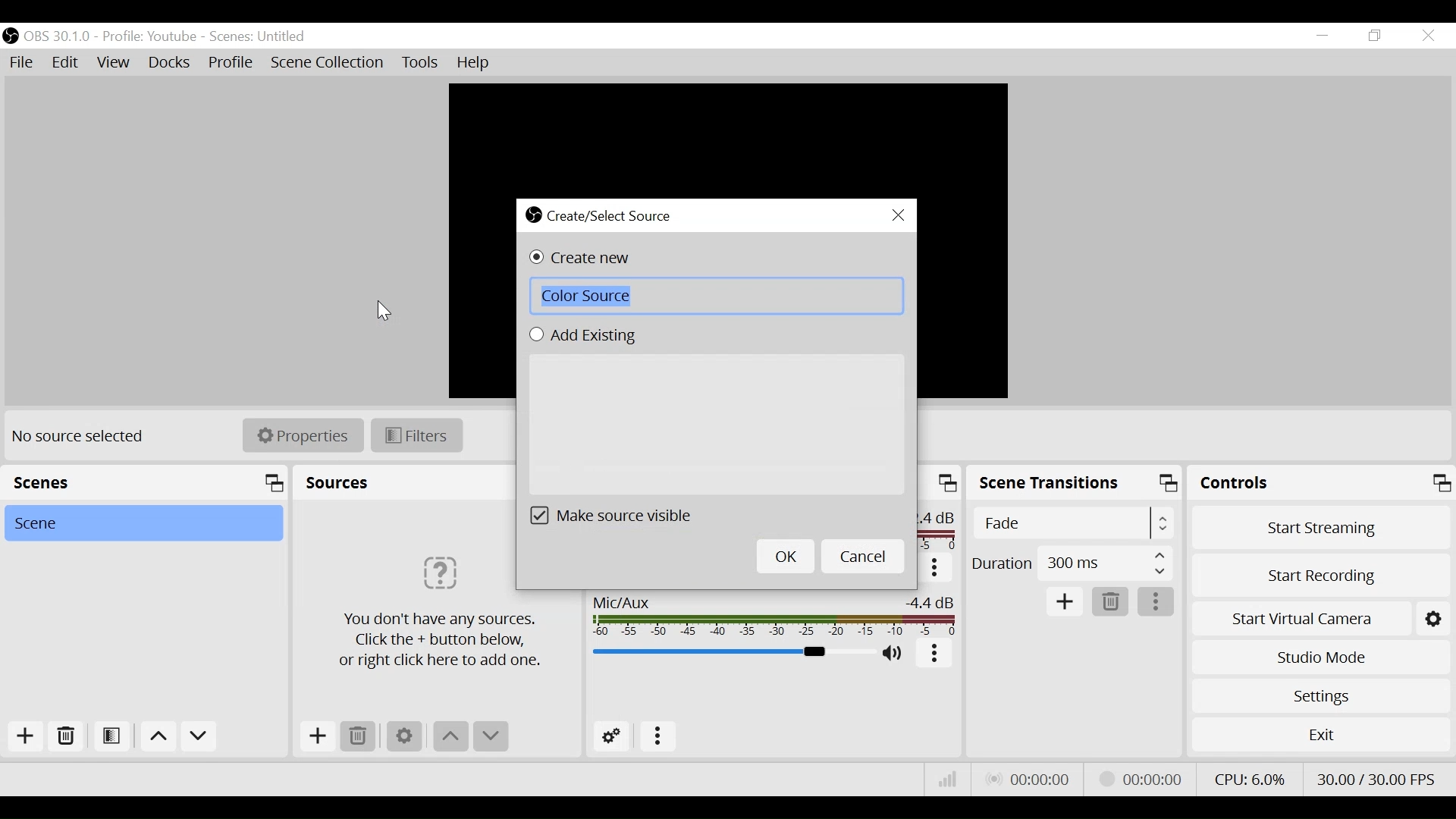  I want to click on Delete, so click(359, 736).